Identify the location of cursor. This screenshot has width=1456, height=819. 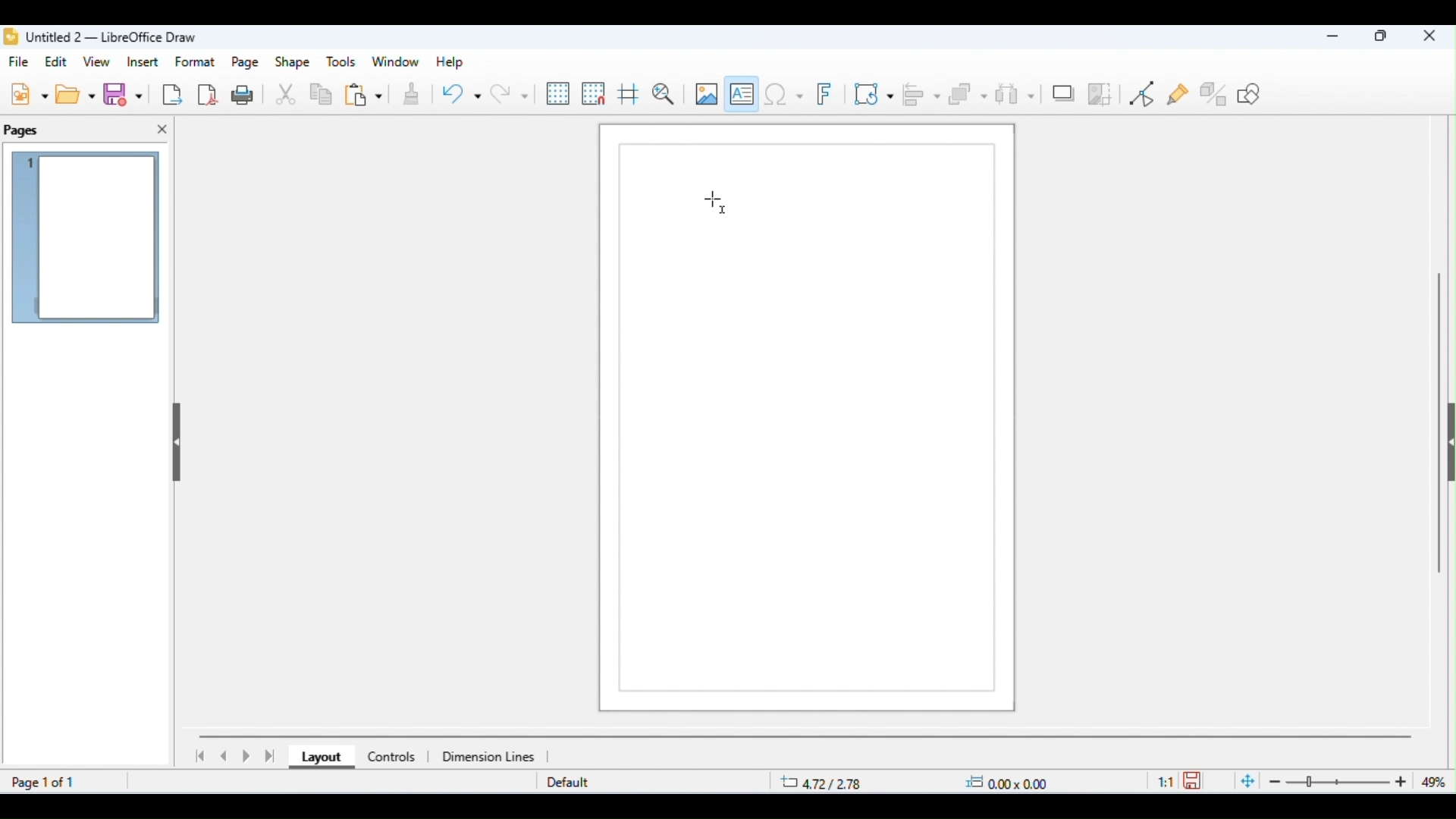
(716, 202).